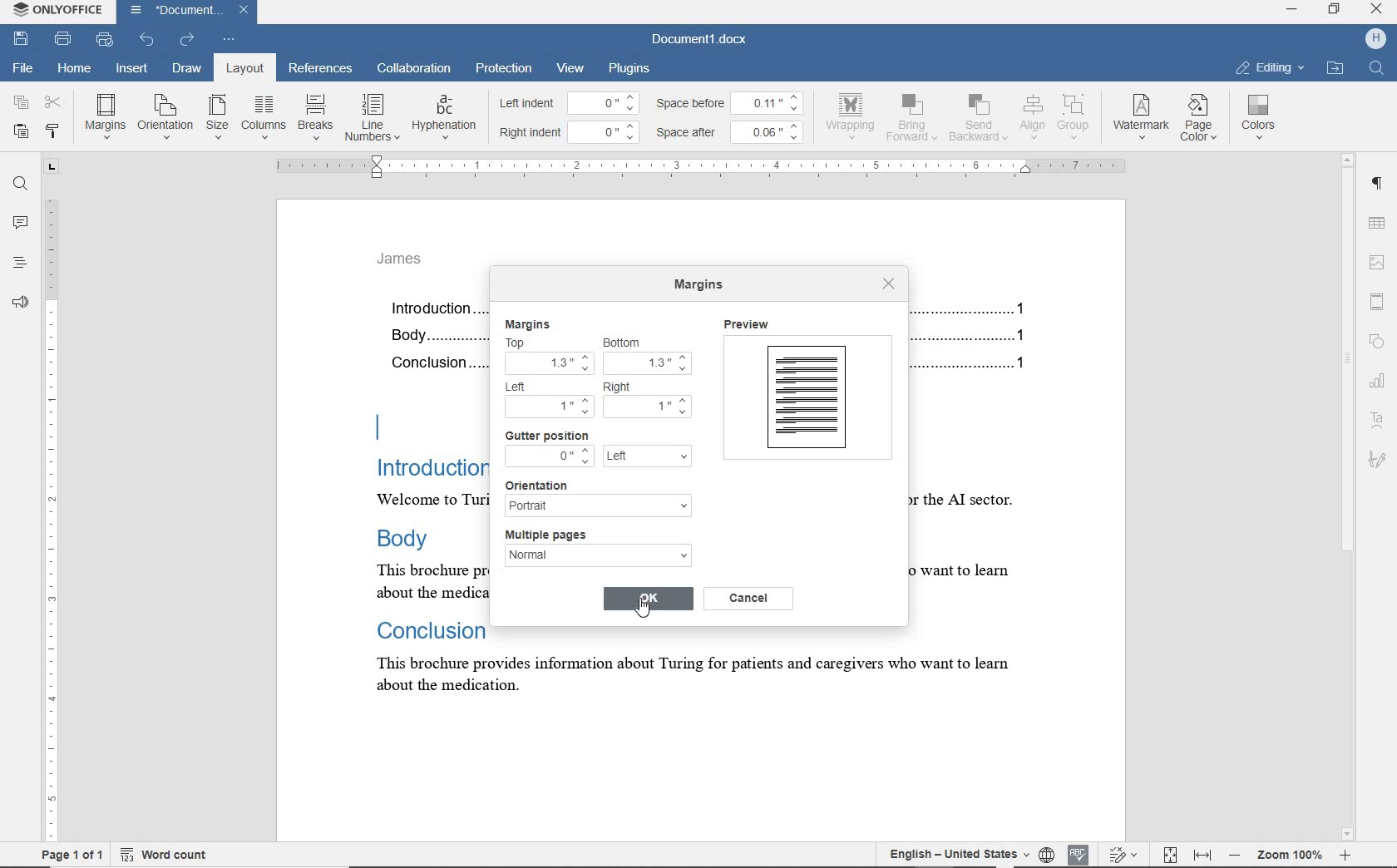 The width and height of the screenshot is (1397, 868). Describe the element at coordinates (889, 284) in the screenshot. I see `close` at that location.